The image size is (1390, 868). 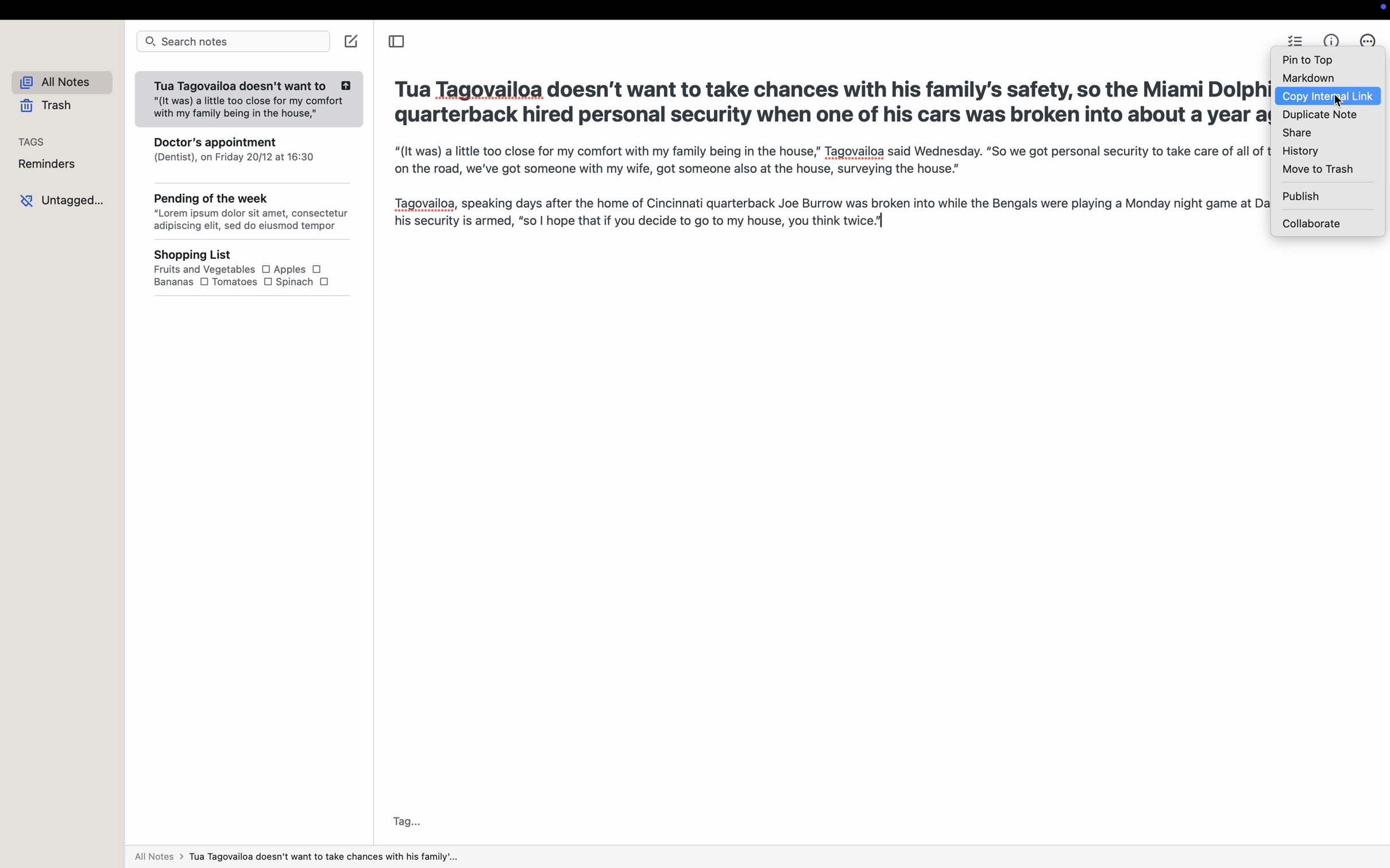 I want to click on Tua Tagovailoa doesn't want to
"(It was) a little too close for my comfort
with my family being in the house,", so click(x=250, y=95).